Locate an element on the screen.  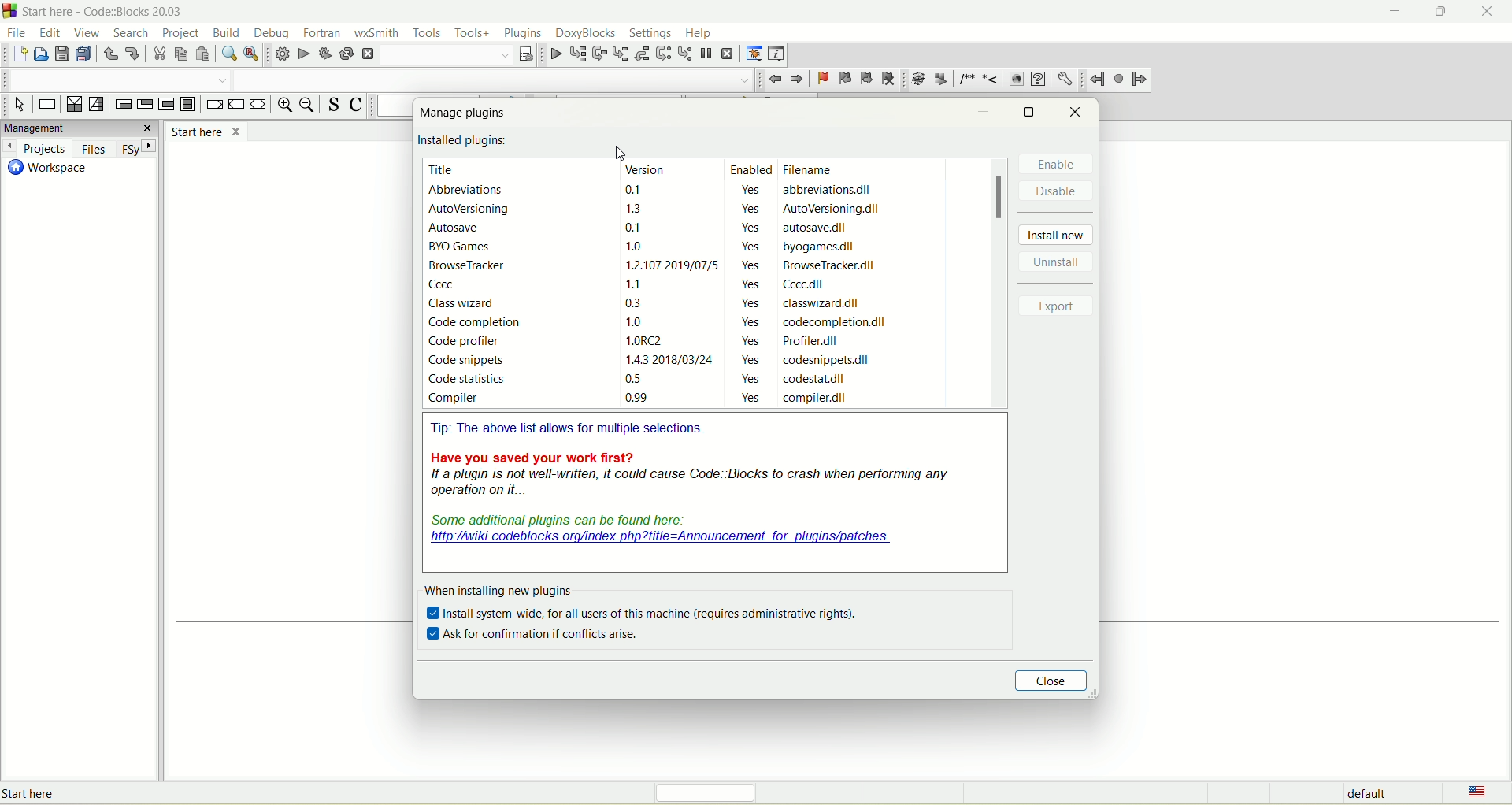
disable is located at coordinates (1059, 192).